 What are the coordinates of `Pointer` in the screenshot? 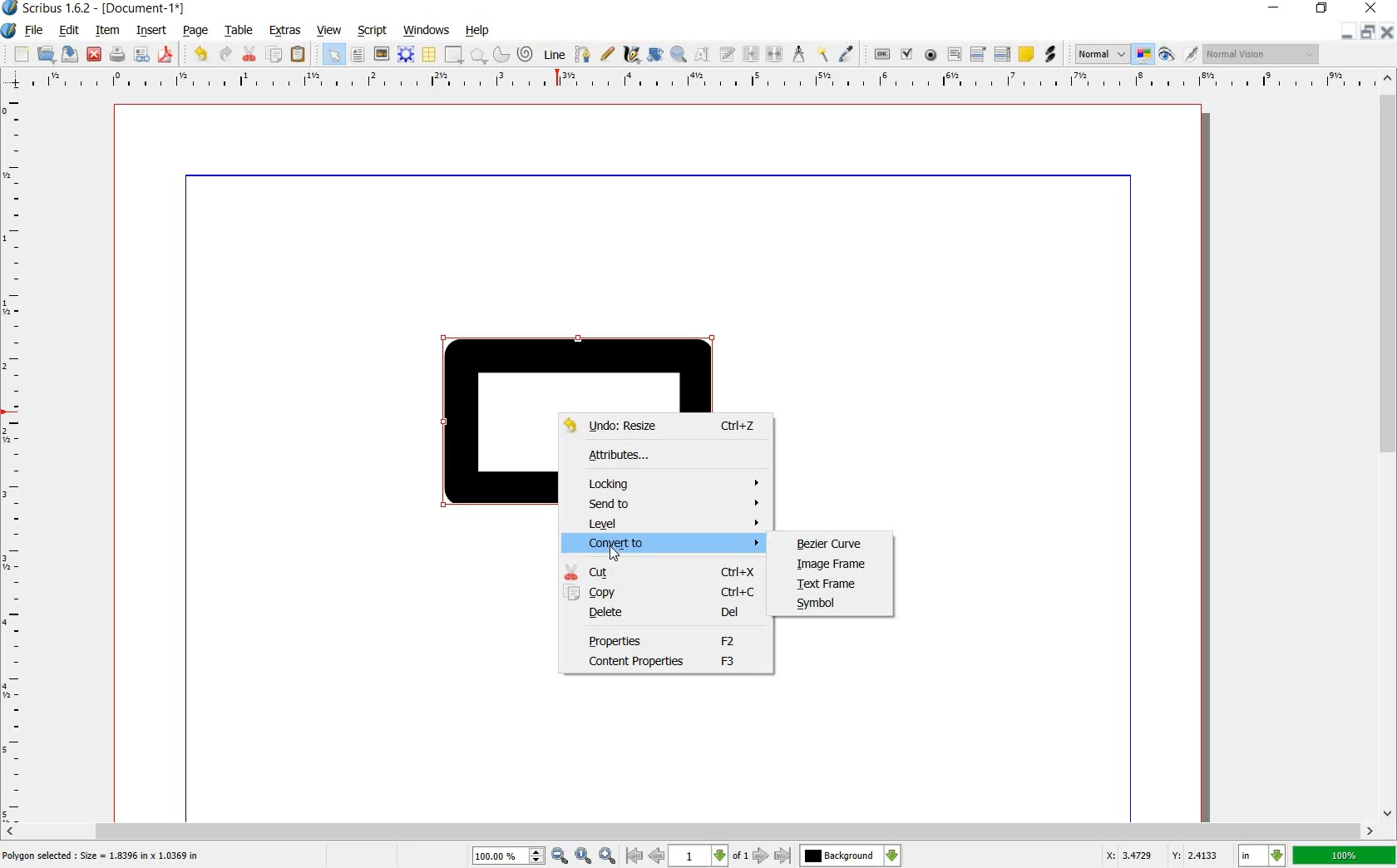 It's located at (620, 552).